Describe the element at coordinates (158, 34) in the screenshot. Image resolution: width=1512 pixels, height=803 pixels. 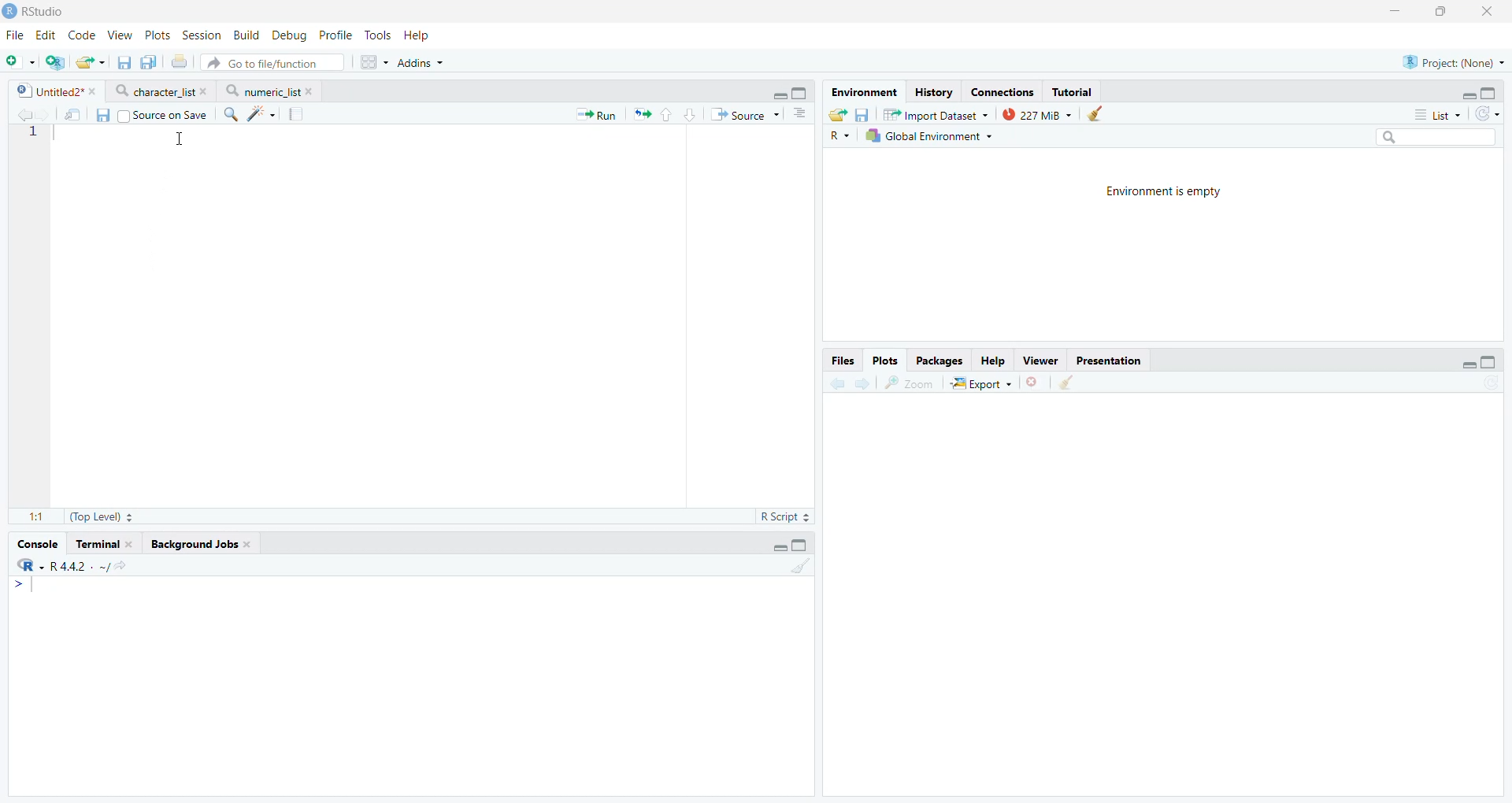
I see `Plots` at that location.